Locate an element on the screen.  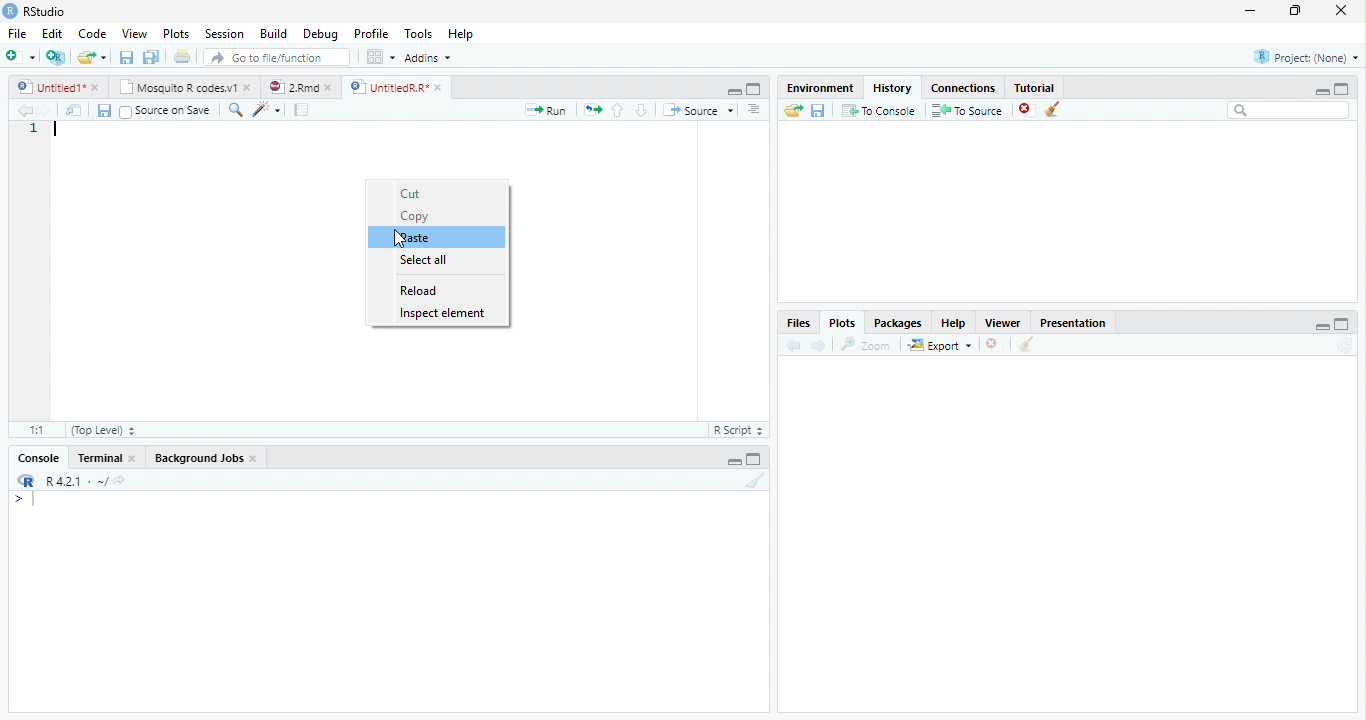
close is located at coordinates (440, 87).